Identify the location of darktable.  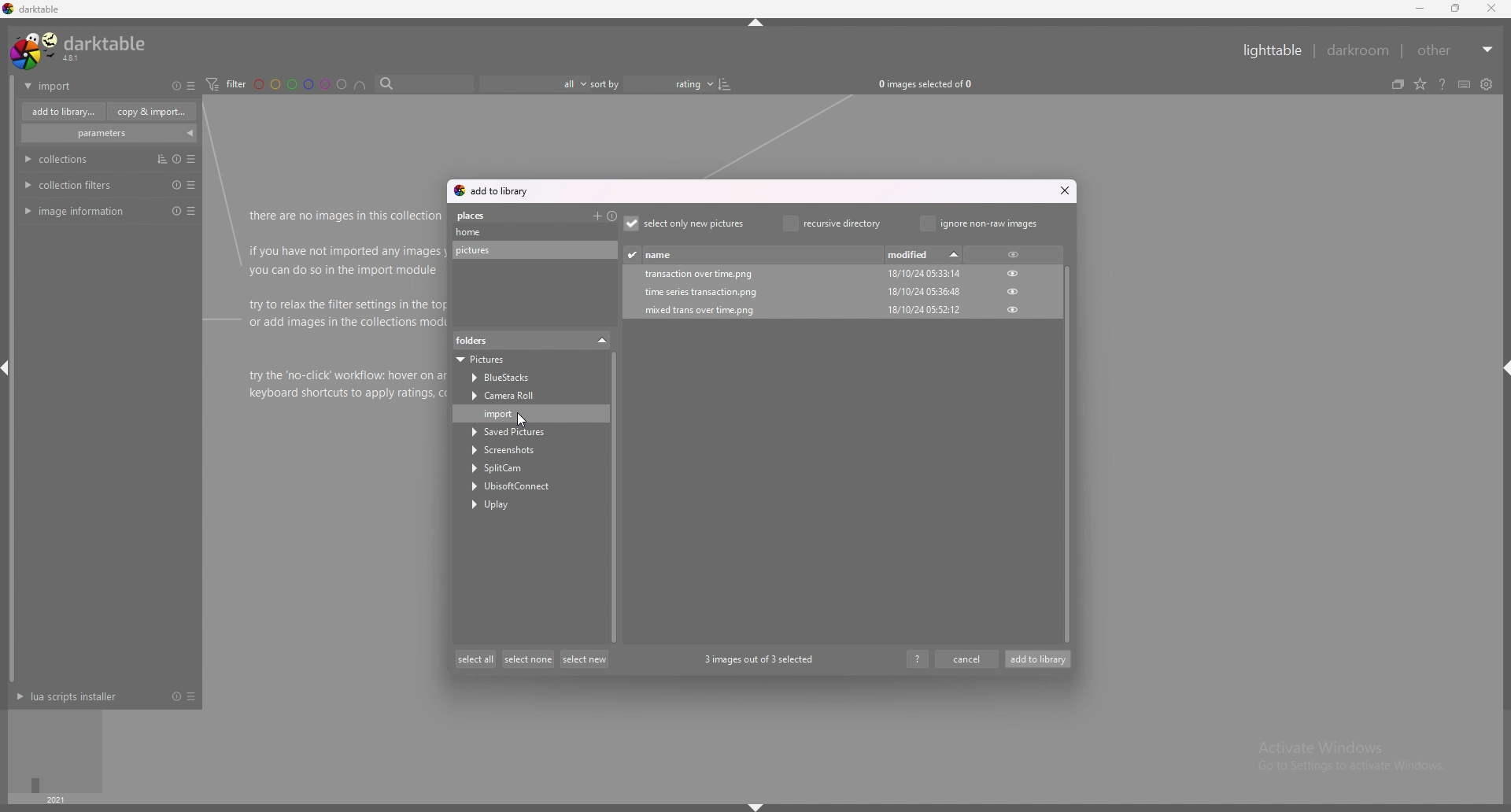
(79, 50).